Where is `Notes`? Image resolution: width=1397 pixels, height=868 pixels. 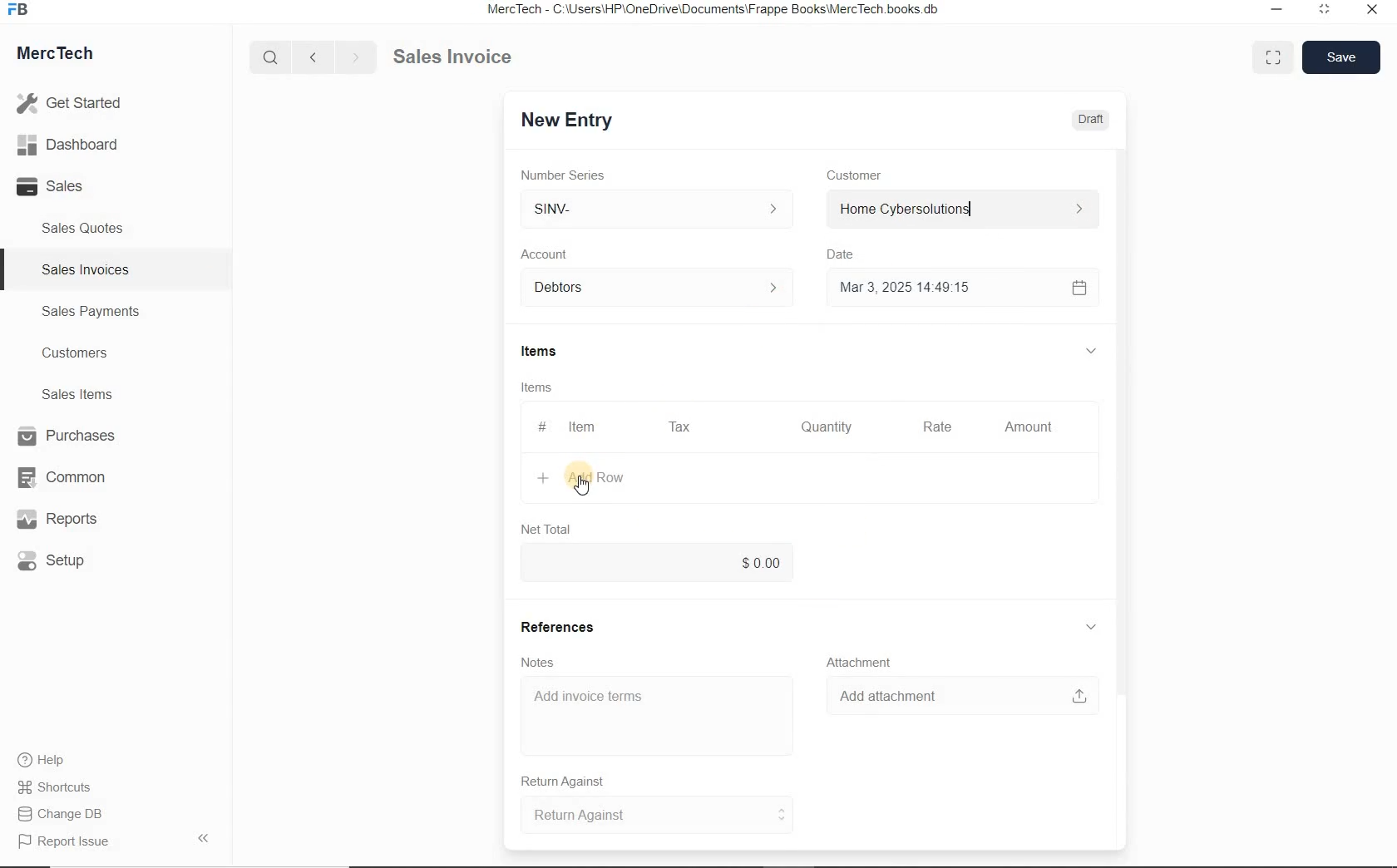
Notes is located at coordinates (539, 663).